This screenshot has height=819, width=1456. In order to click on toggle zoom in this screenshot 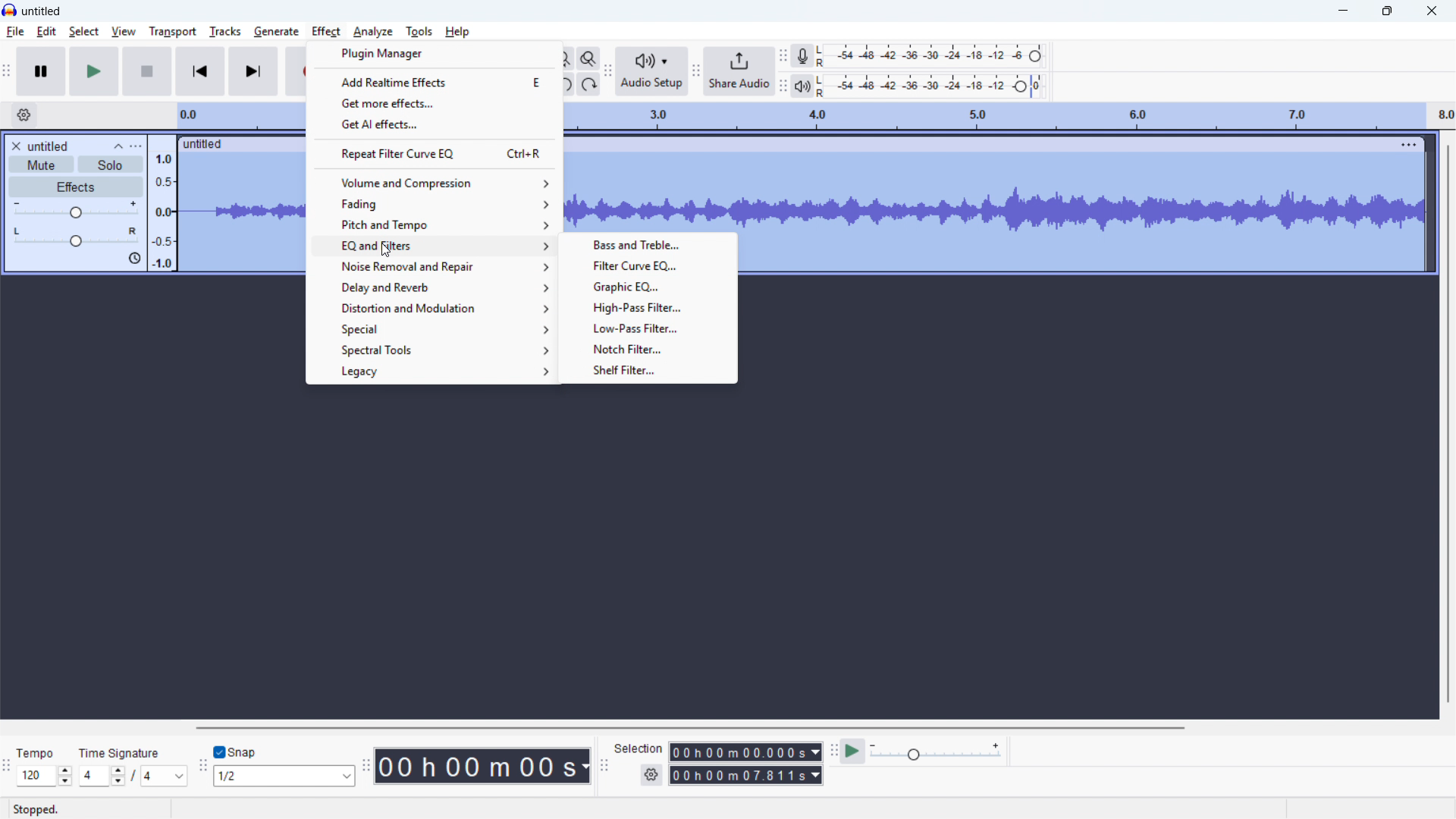, I will do `click(589, 59)`.